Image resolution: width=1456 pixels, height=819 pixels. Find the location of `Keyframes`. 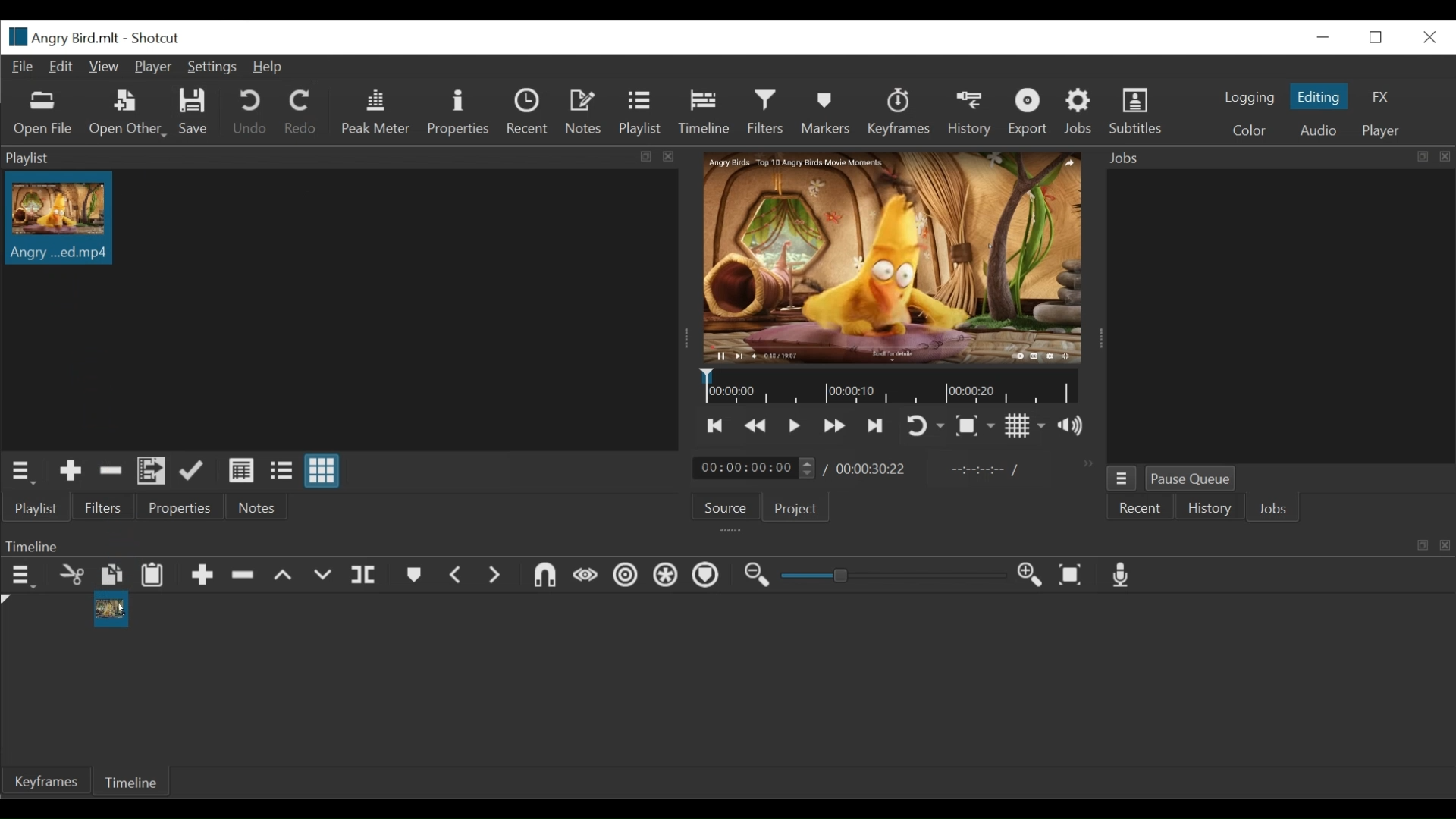

Keyframes is located at coordinates (900, 111).